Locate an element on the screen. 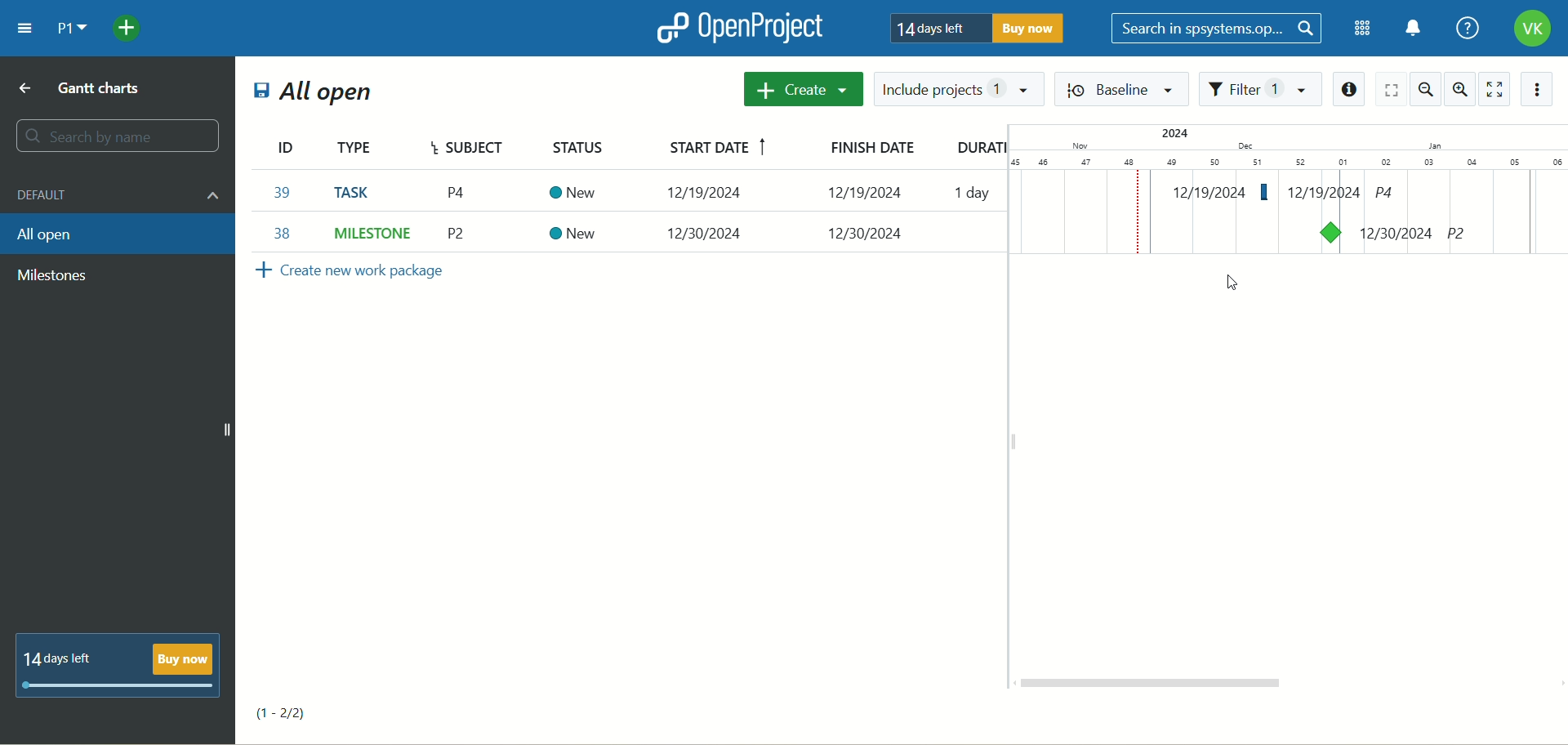 This screenshot has width=1568, height=745. cursor is located at coordinates (1234, 284).